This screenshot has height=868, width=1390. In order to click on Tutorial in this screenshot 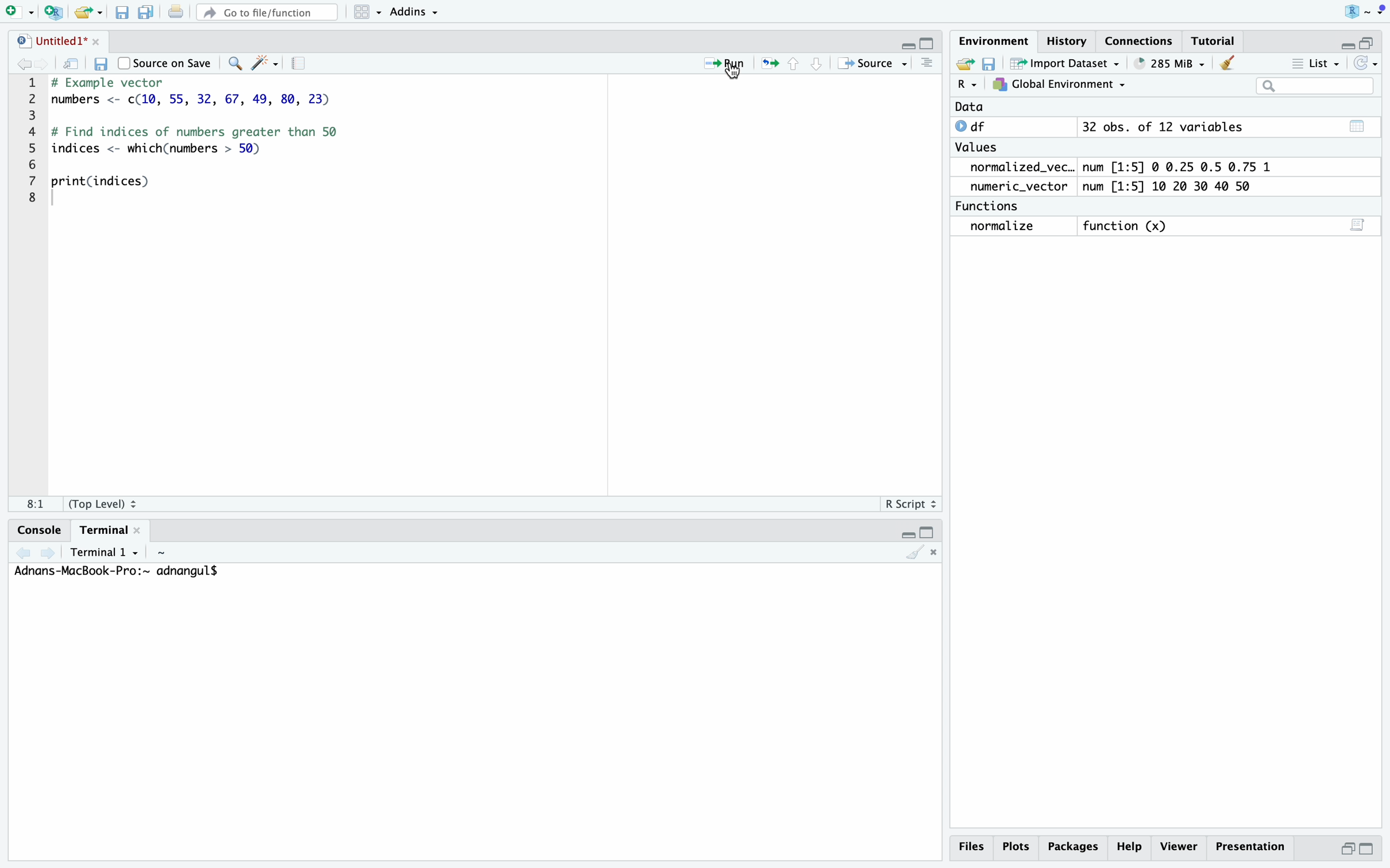, I will do `click(1215, 41)`.